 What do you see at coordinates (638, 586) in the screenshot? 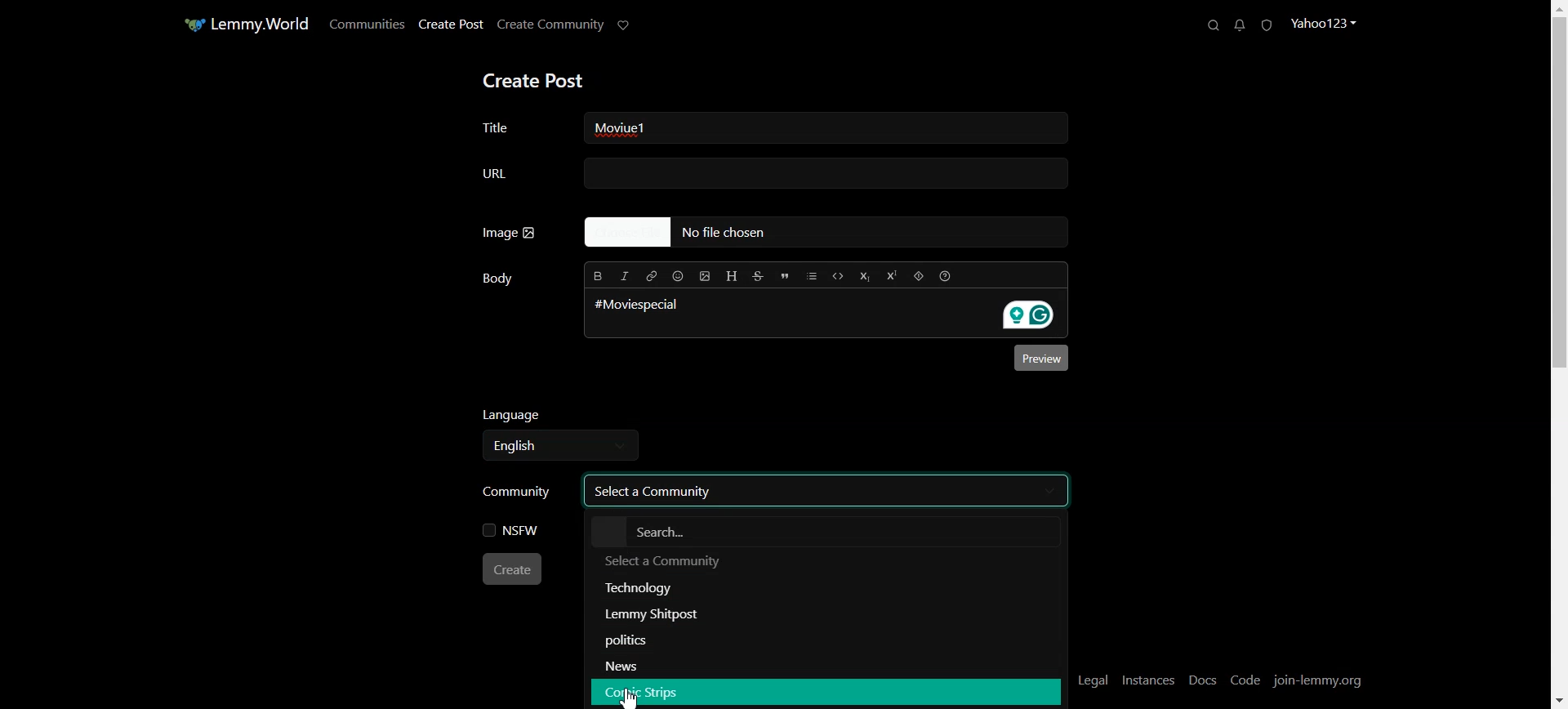
I see `Technology` at bounding box center [638, 586].